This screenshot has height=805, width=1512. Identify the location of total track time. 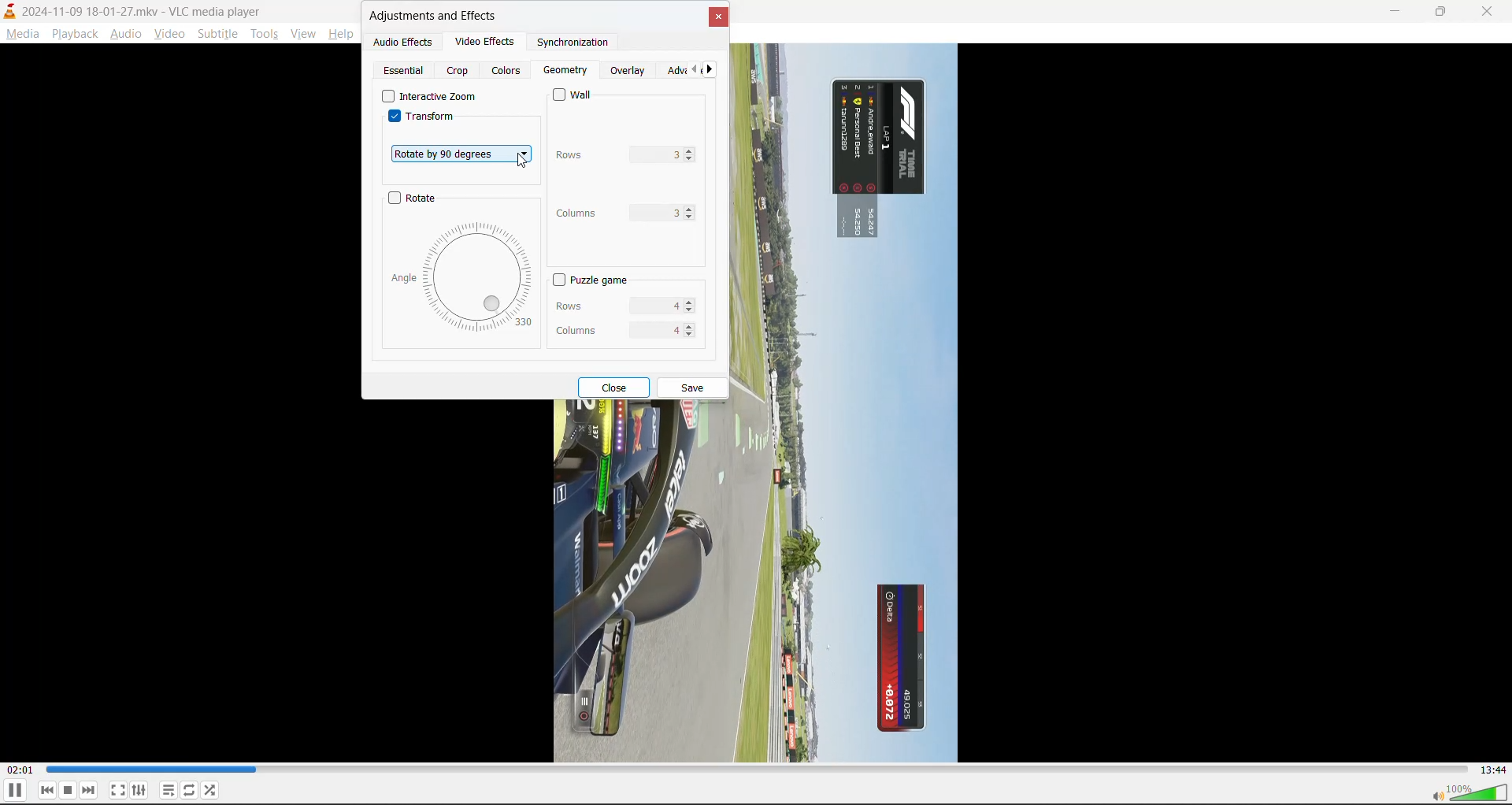
(1489, 768).